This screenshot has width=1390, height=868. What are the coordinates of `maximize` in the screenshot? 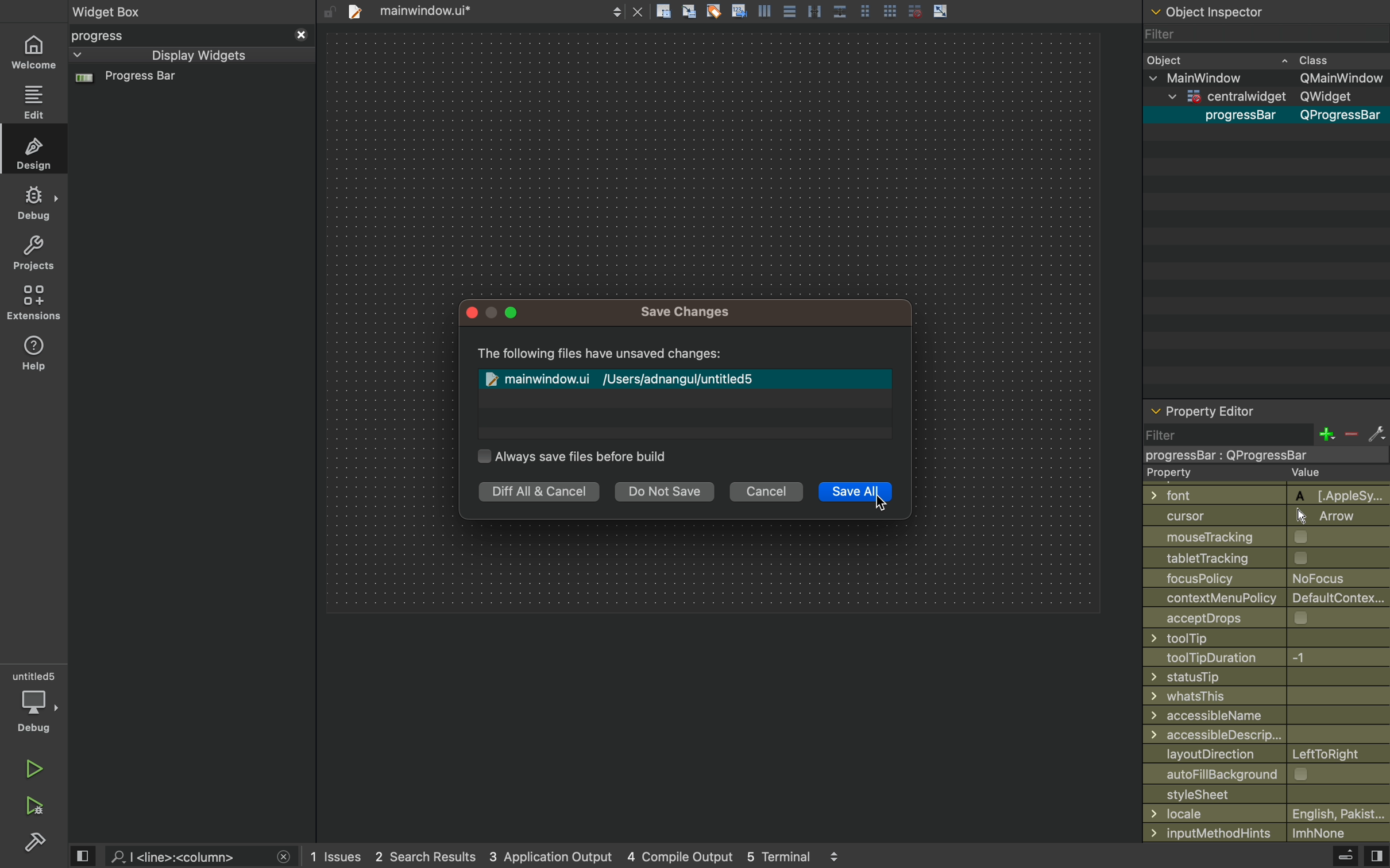 It's located at (511, 313).